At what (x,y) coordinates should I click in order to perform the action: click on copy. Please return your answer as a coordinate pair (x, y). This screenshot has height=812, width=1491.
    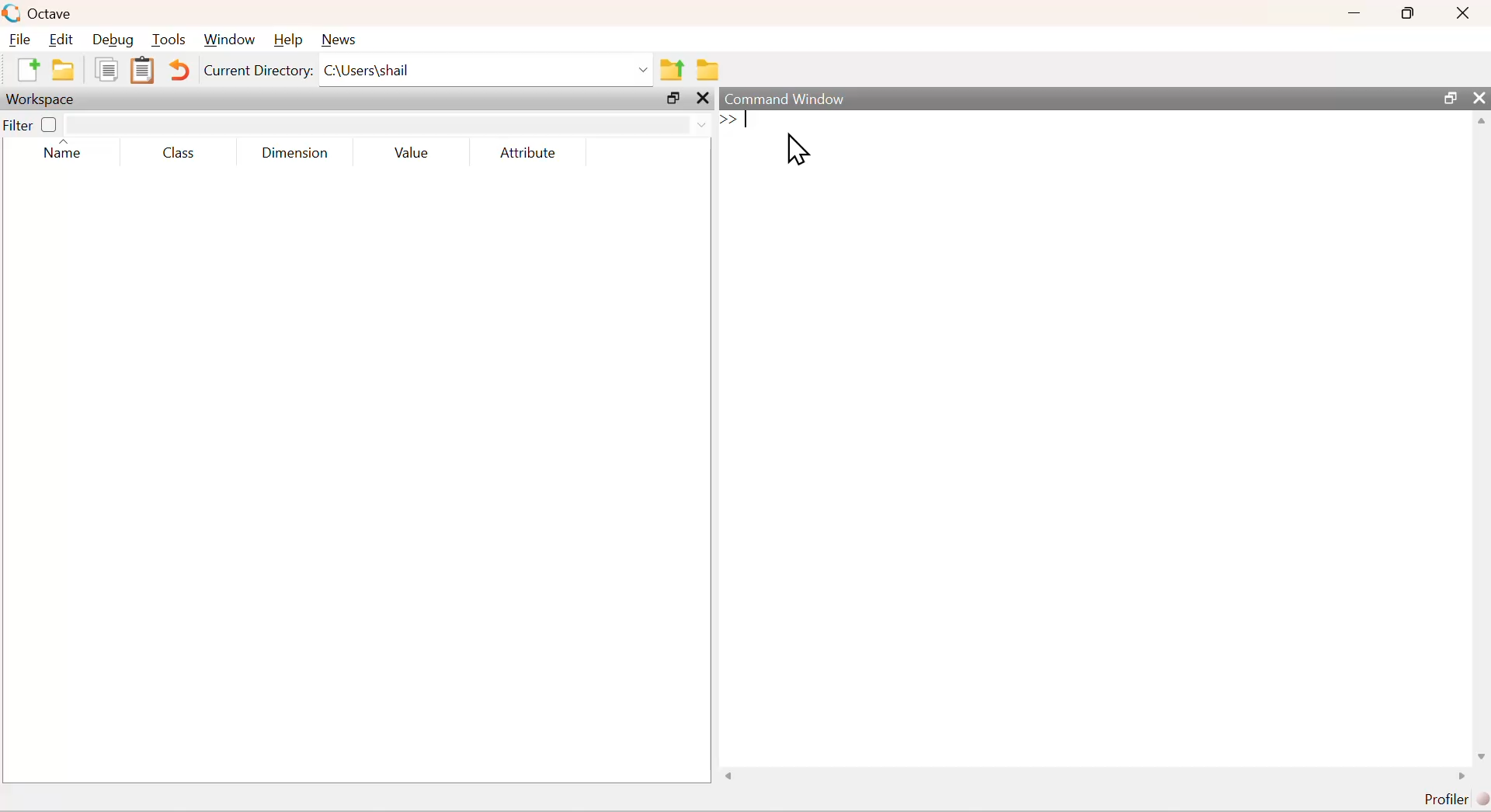
    Looking at the image, I should click on (106, 68).